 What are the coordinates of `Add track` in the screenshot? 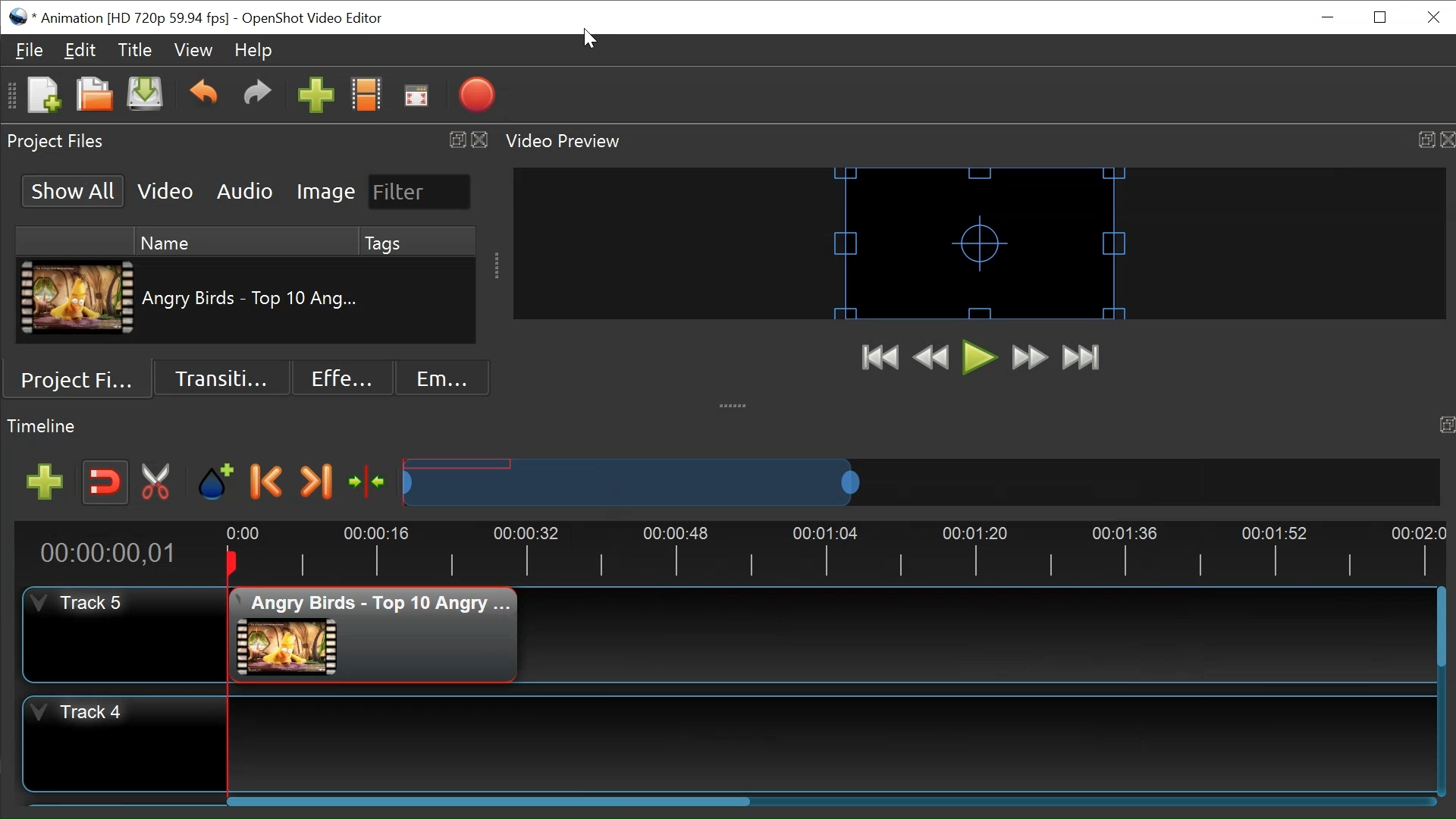 It's located at (44, 483).